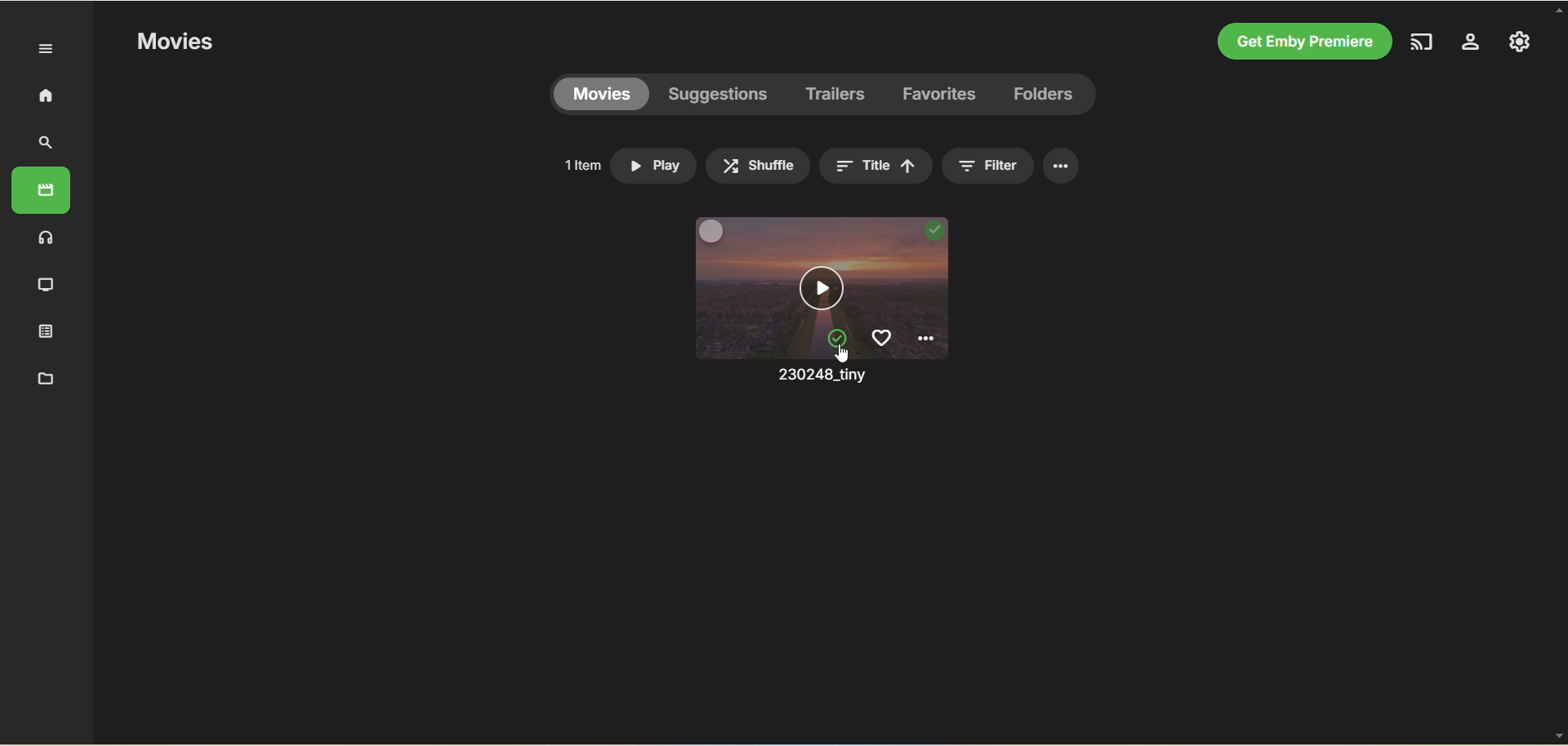 The height and width of the screenshot is (746, 1568). Describe the element at coordinates (758, 167) in the screenshot. I see `shuffle` at that location.